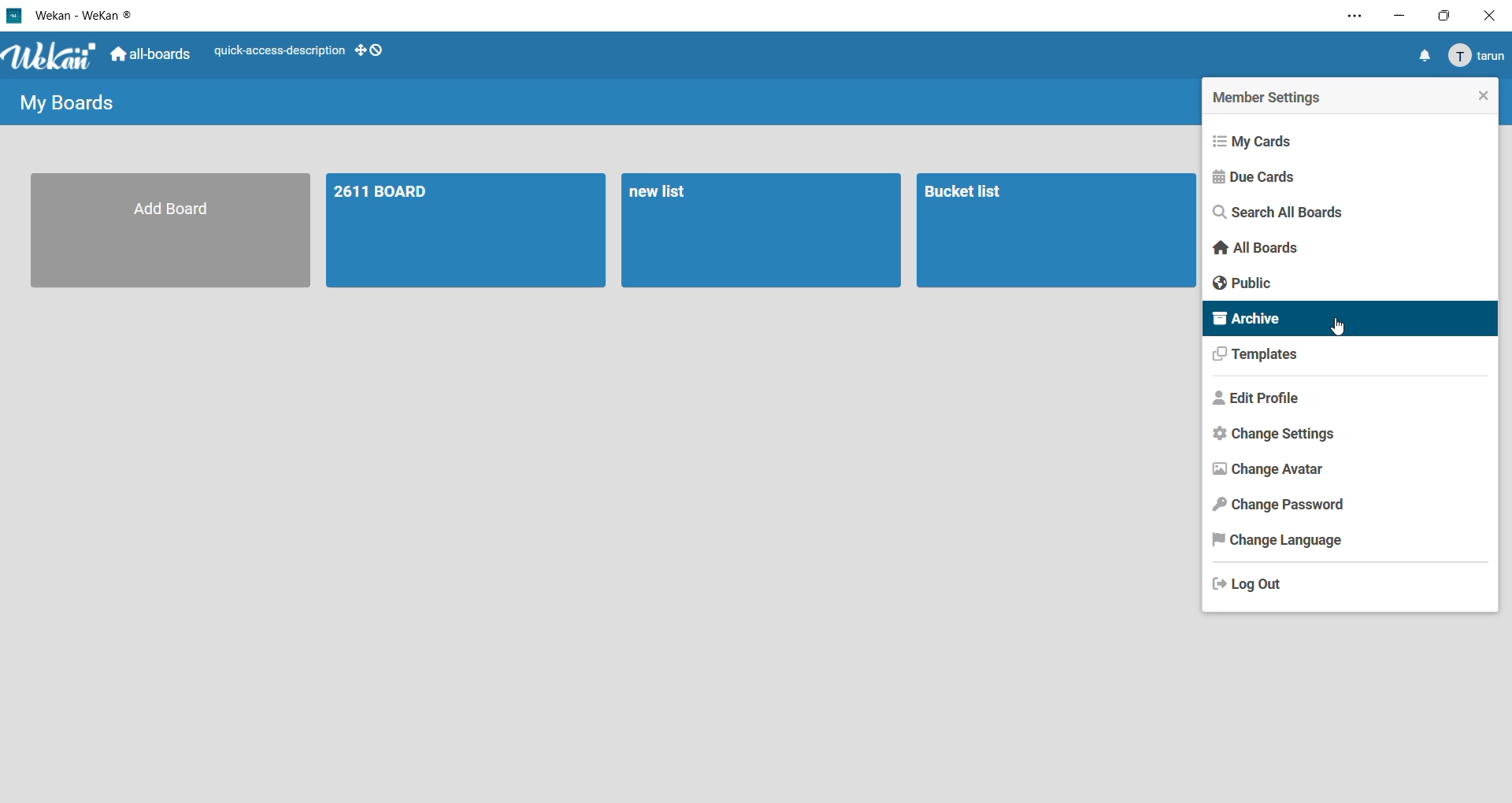 Image resolution: width=1512 pixels, height=803 pixels. Describe the element at coordinates (759, 228) in the screenshot. I see `new list` at that location.